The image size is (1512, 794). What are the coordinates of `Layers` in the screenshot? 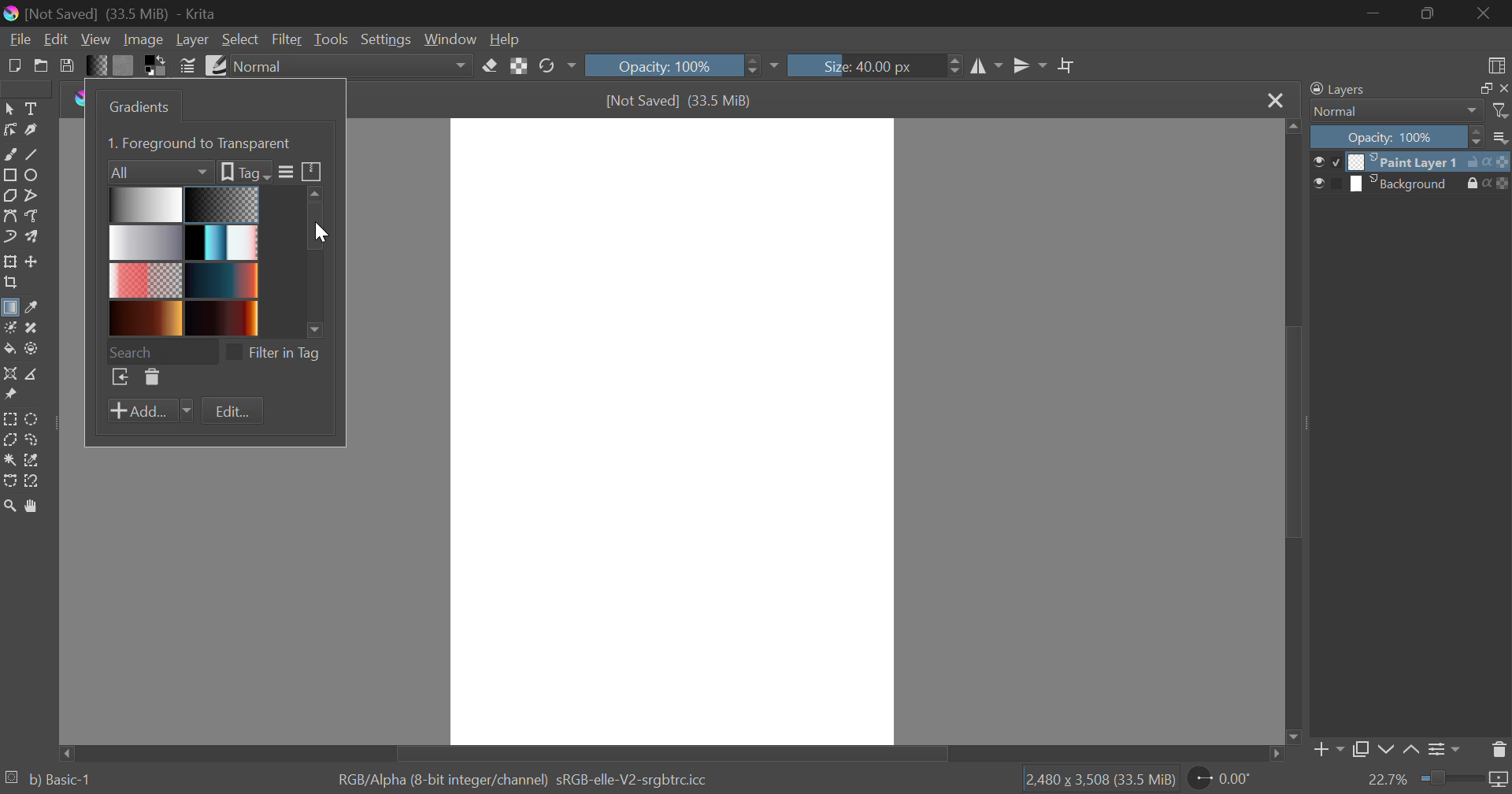 It's located at (1338, 90).